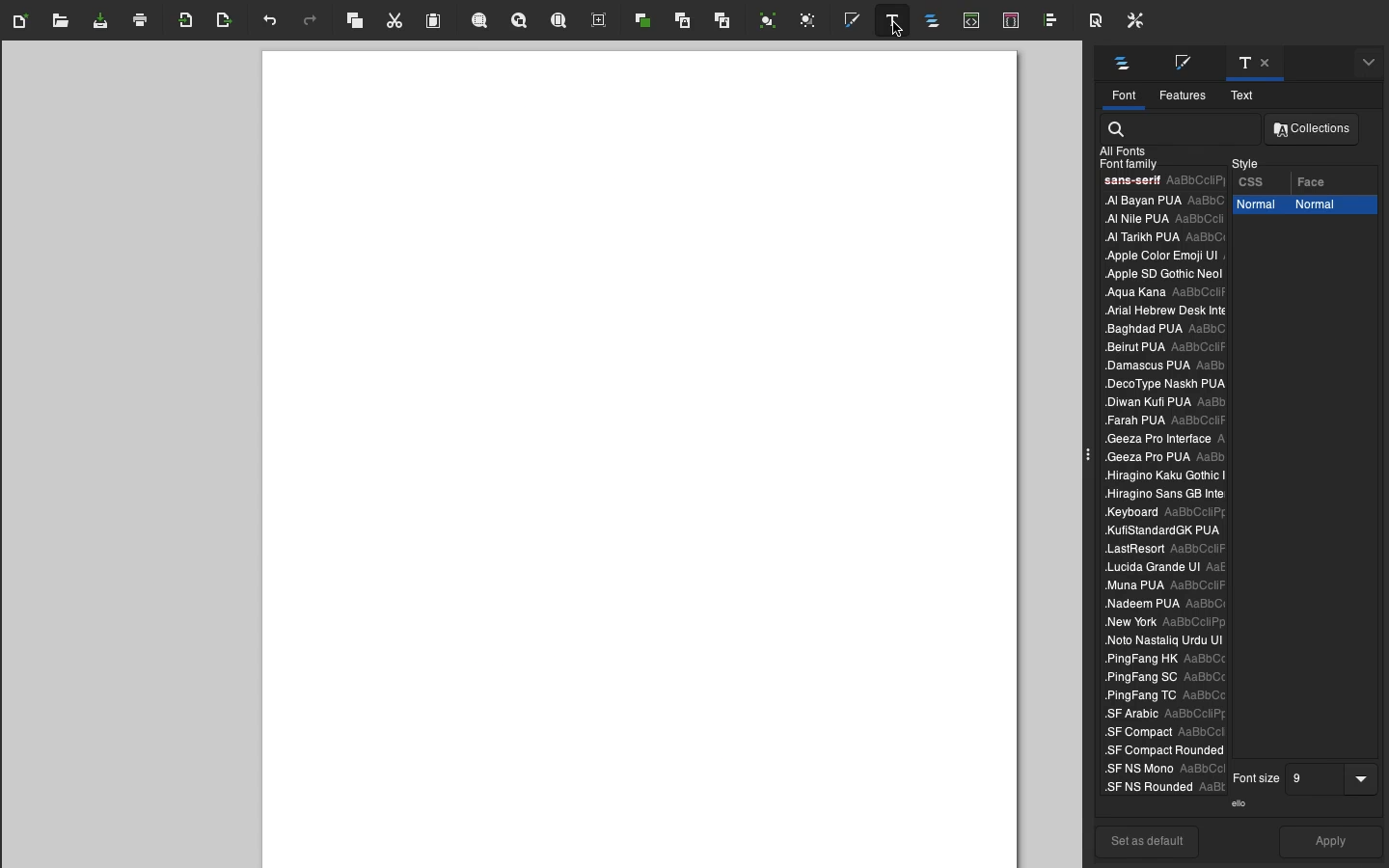 The image size is (1389, 868). I want to click on .DecoType Naskh PUA, so click(1168, 382).